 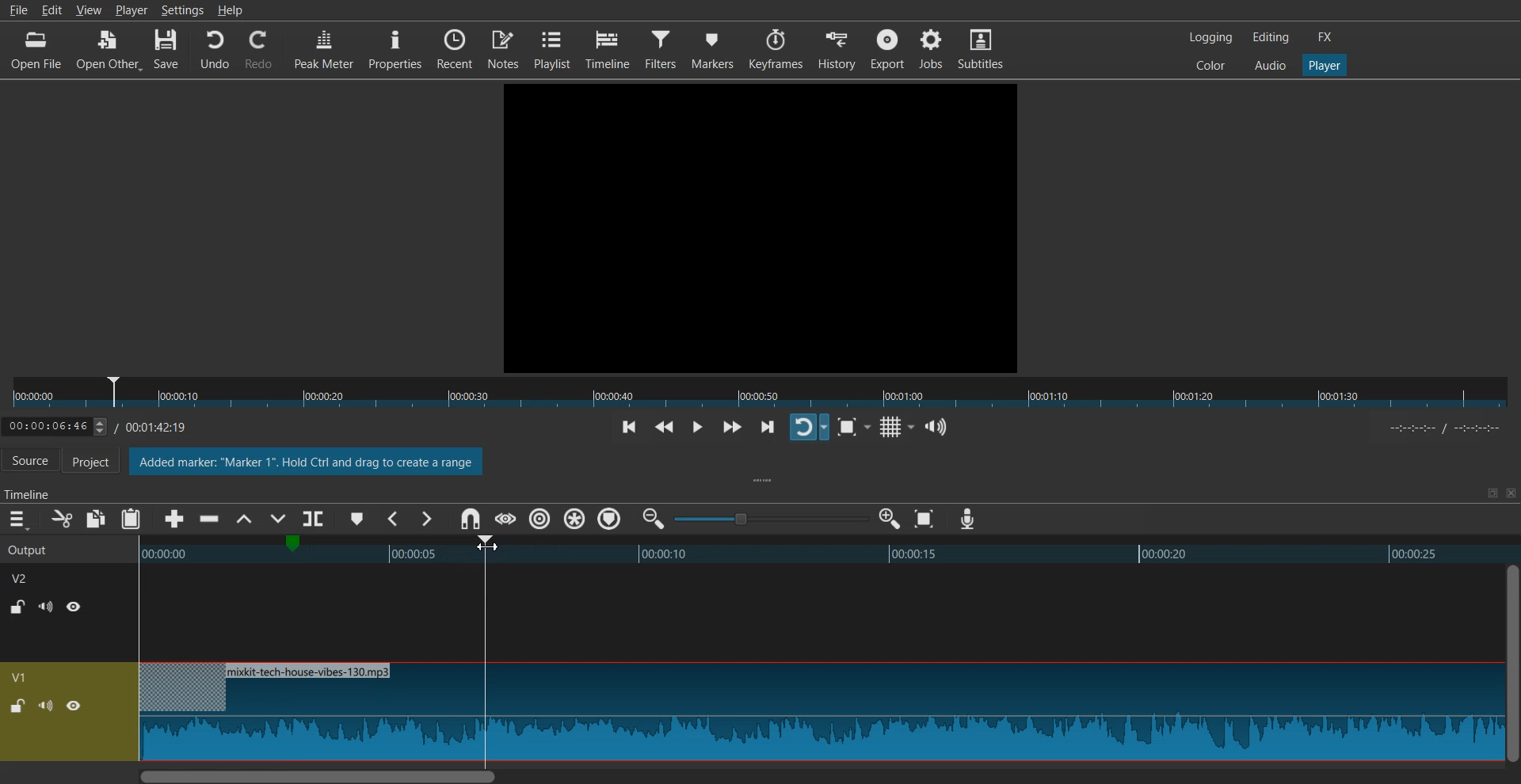 I want to click on Ripple all markers, so click(x=575, y=519).